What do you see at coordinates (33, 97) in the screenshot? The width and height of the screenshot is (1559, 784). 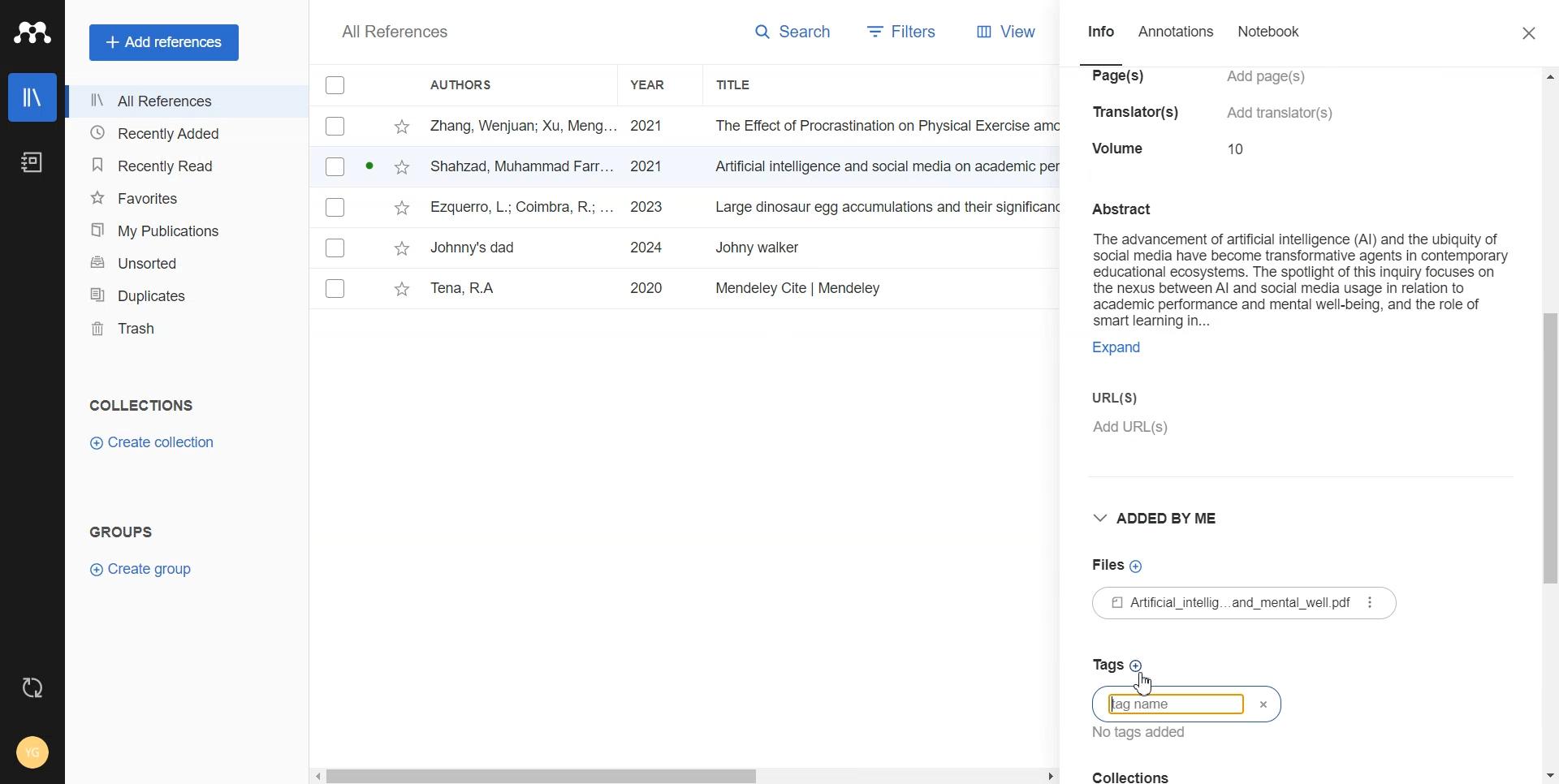 I see `Library` at bounding box center [33, 97].